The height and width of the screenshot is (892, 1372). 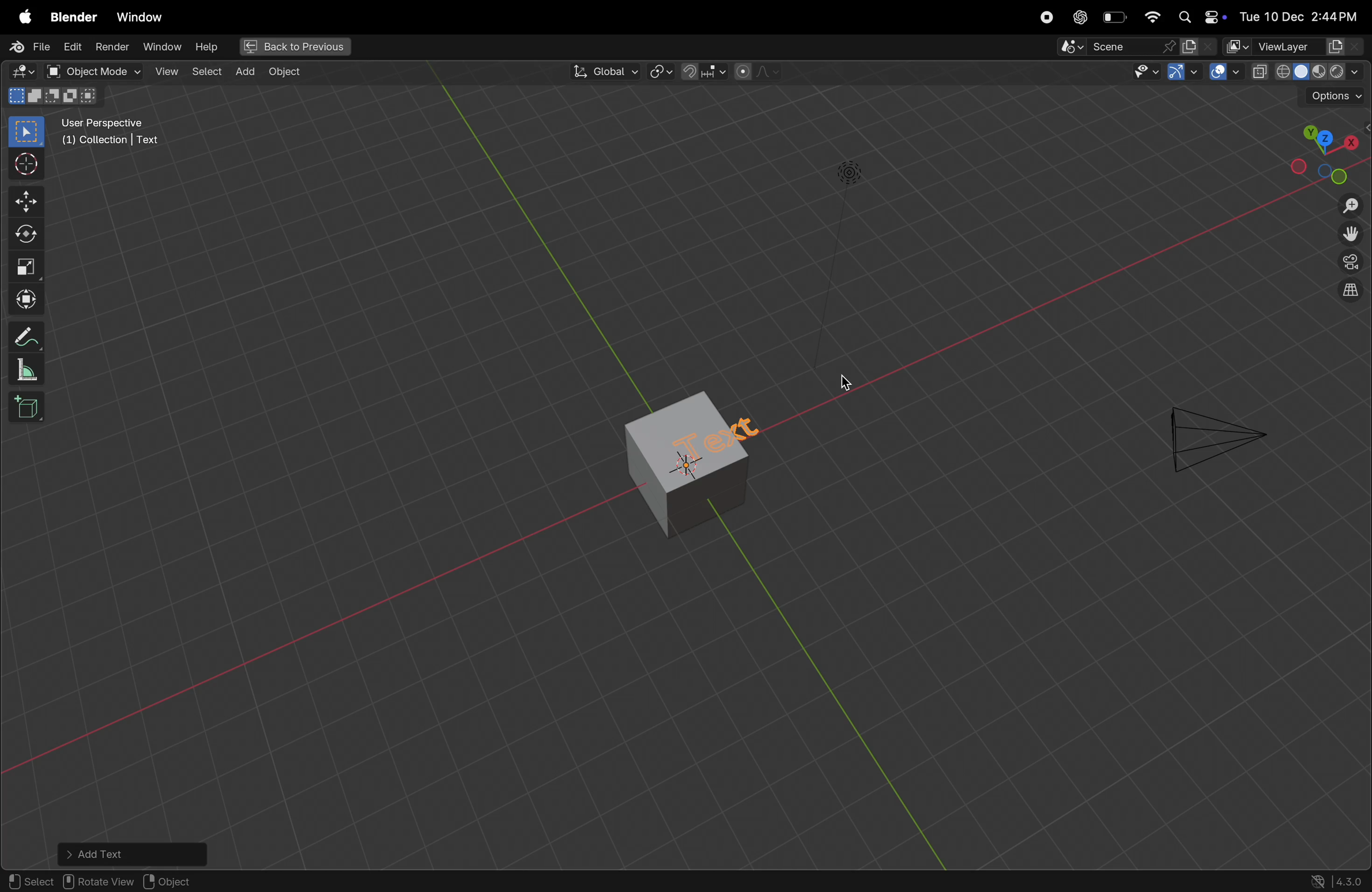 What do you see at coordinates (22, 199) in the screenshot?
I see `move` at bounding box center [22, 199].